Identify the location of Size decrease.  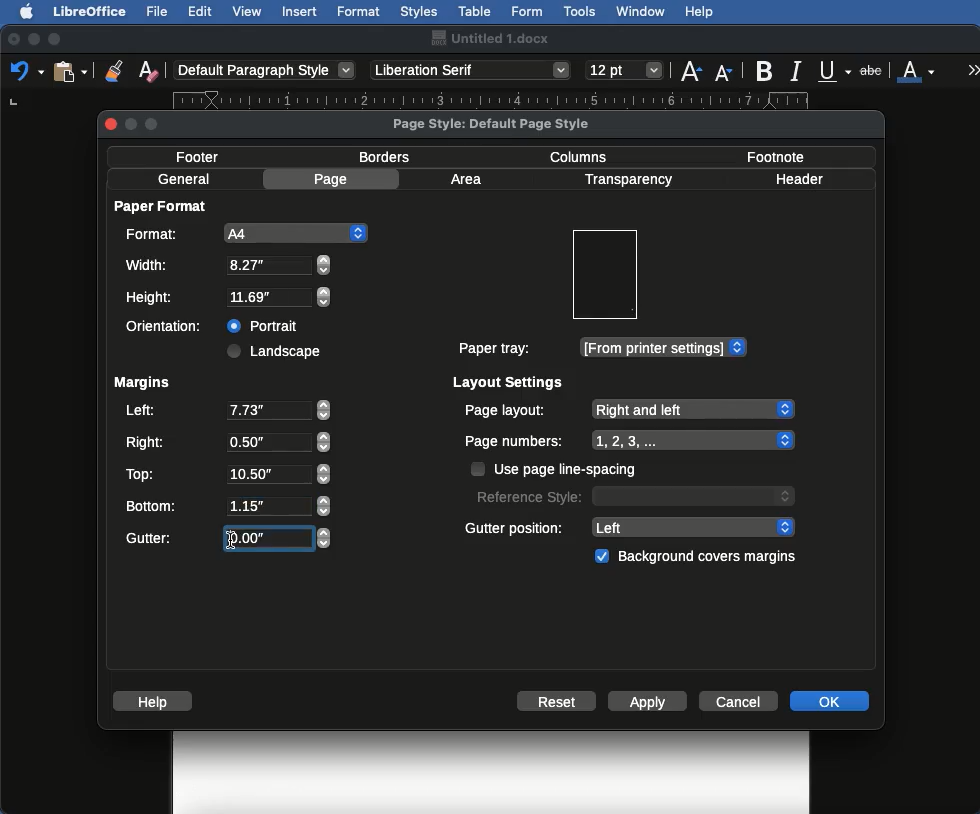
(728, 72).